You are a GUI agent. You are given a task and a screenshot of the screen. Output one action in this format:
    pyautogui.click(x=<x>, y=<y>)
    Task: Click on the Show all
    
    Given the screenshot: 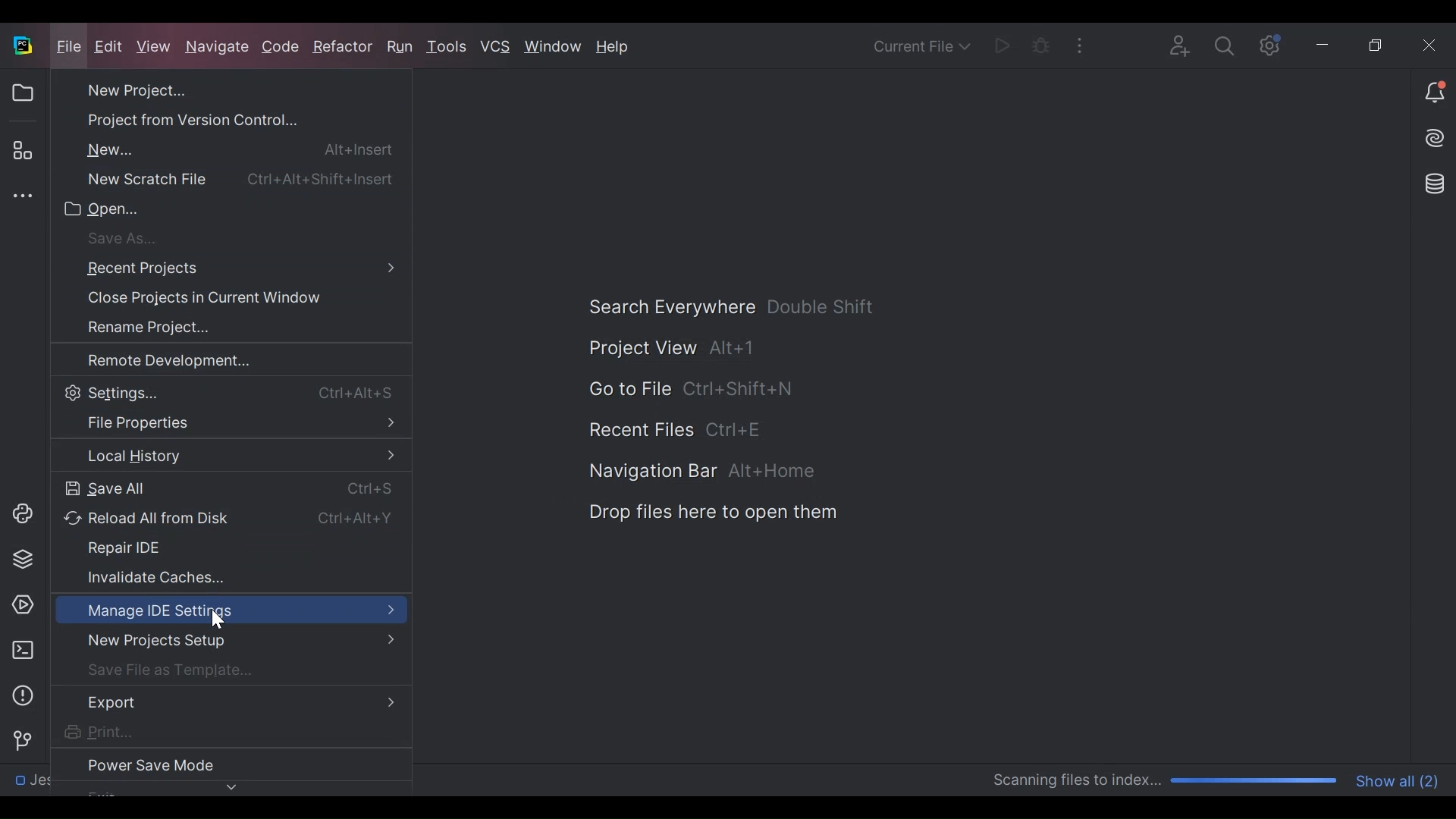 What is the action you would take?
    pyautogui.click(x=1400, y=780)
    